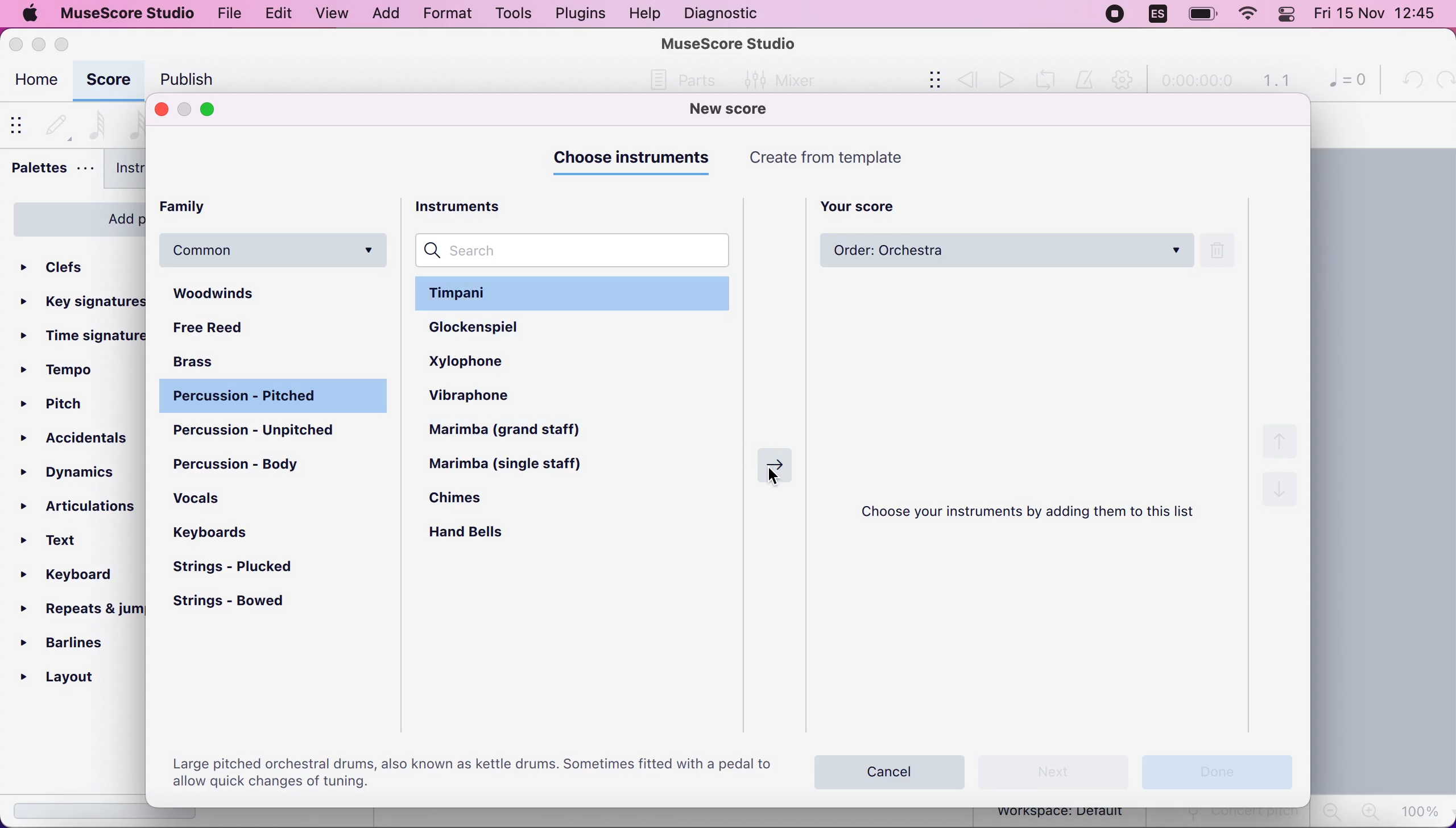 The image size is (1456, 828). What do you see at coordinates (84, 299) in the screenshot?
I see `key signatures` at bounding box center [84, 299].